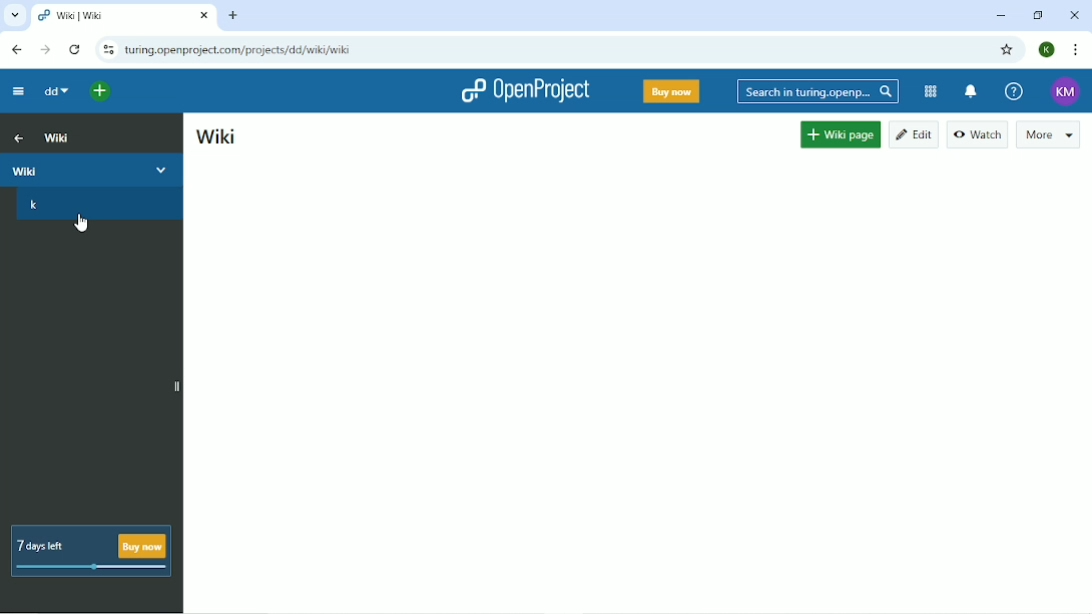 This screenshot has width=1092, height=614. Describe the element at coordinates (79, 222) in the screenshot. I see `Cursor` at that location.